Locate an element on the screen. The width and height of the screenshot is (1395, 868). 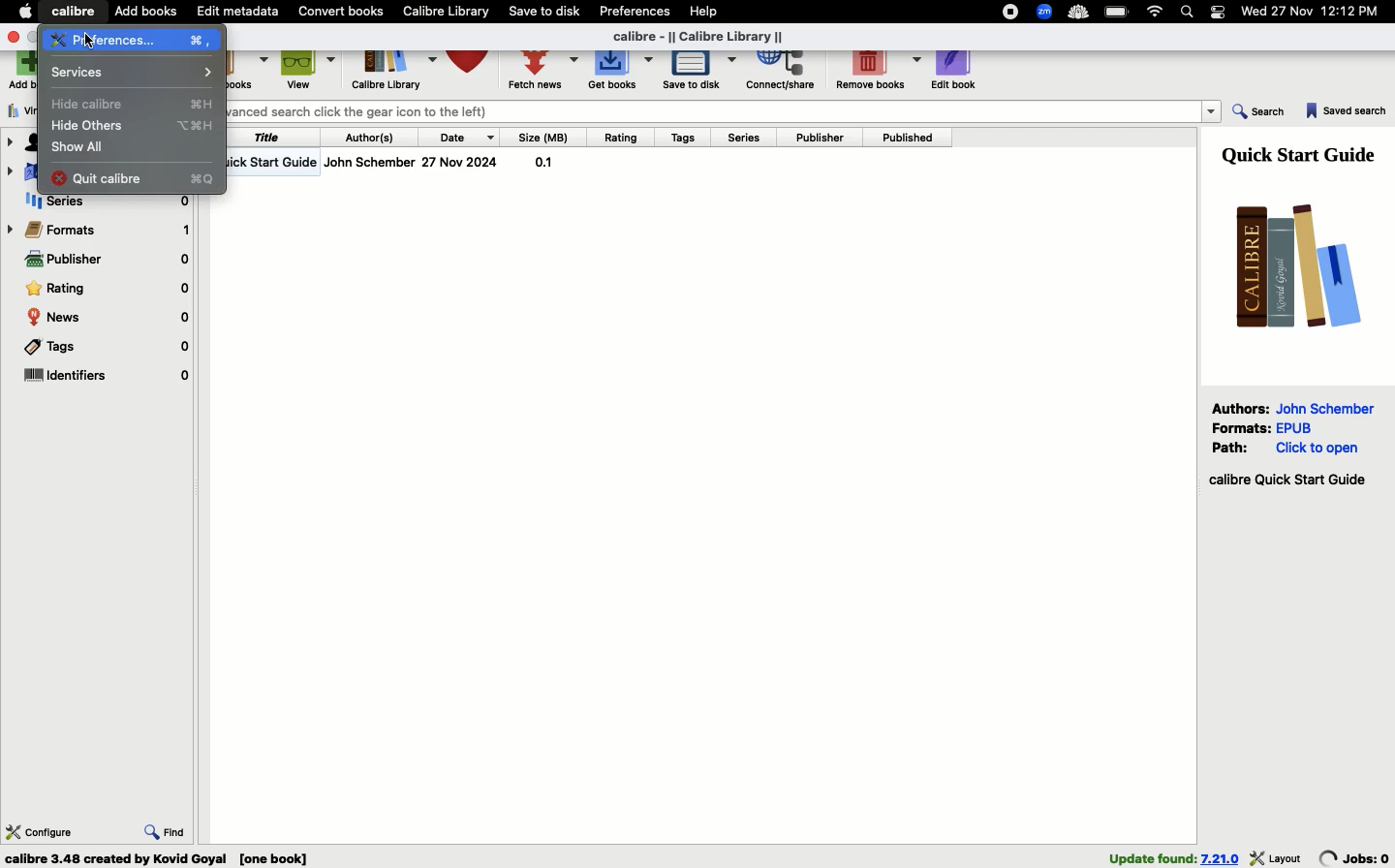
Identifiers is located at coordinates (107, 377).